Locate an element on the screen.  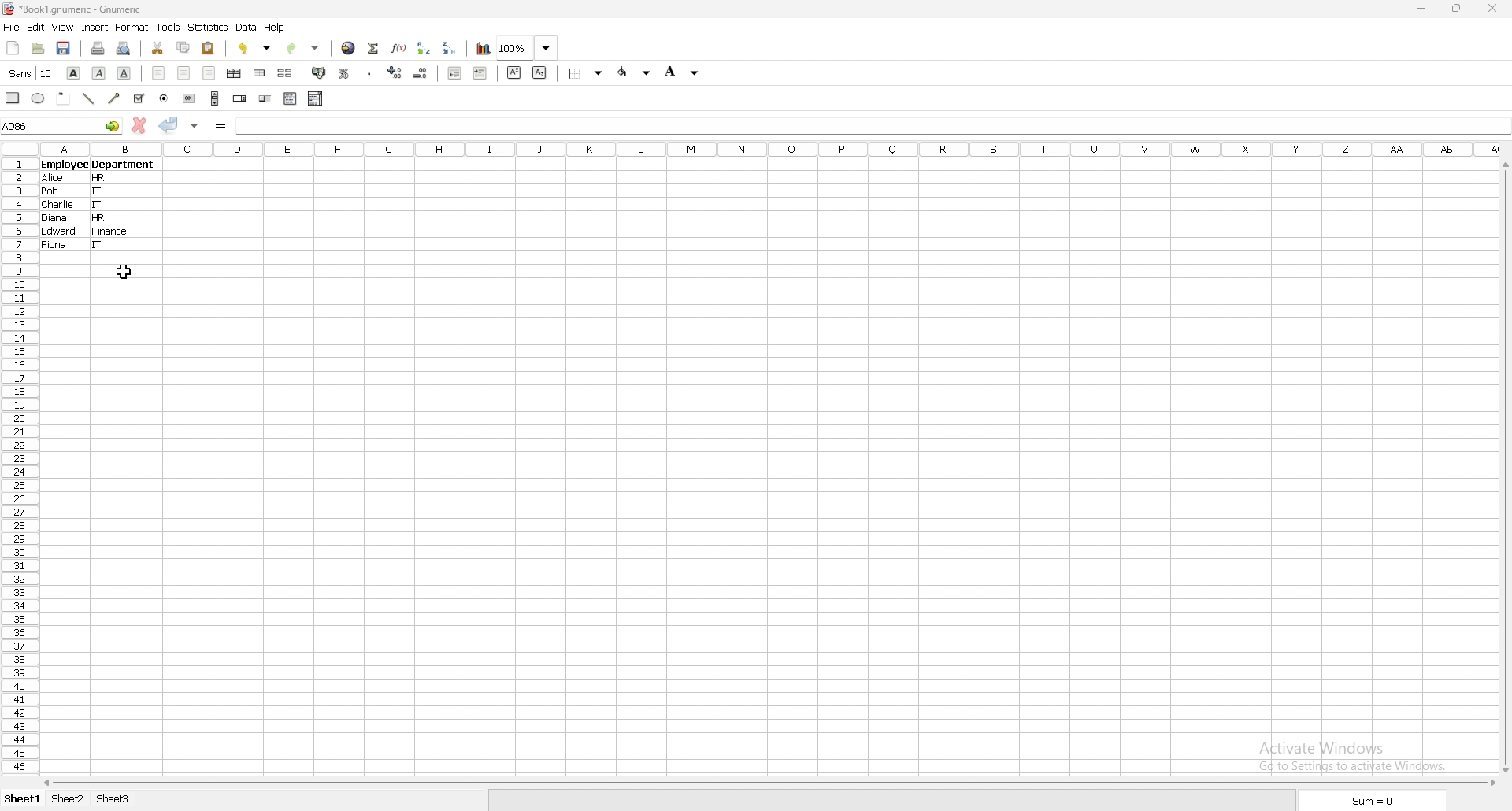
employee is located at coordinates (63, 165).